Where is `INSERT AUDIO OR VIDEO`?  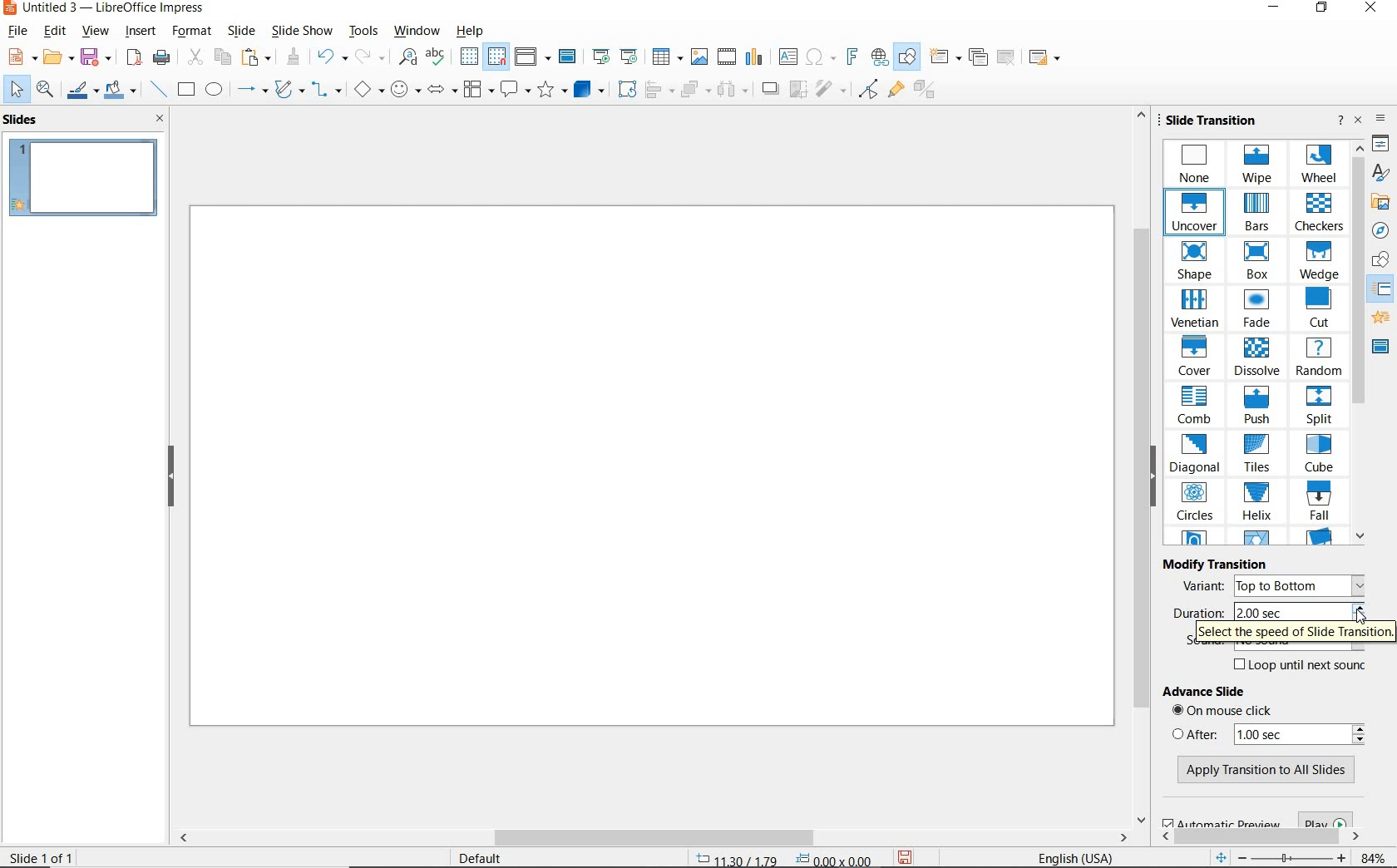 INSERT AUDIO OR VIDEO is located at coordinates (728, 57).